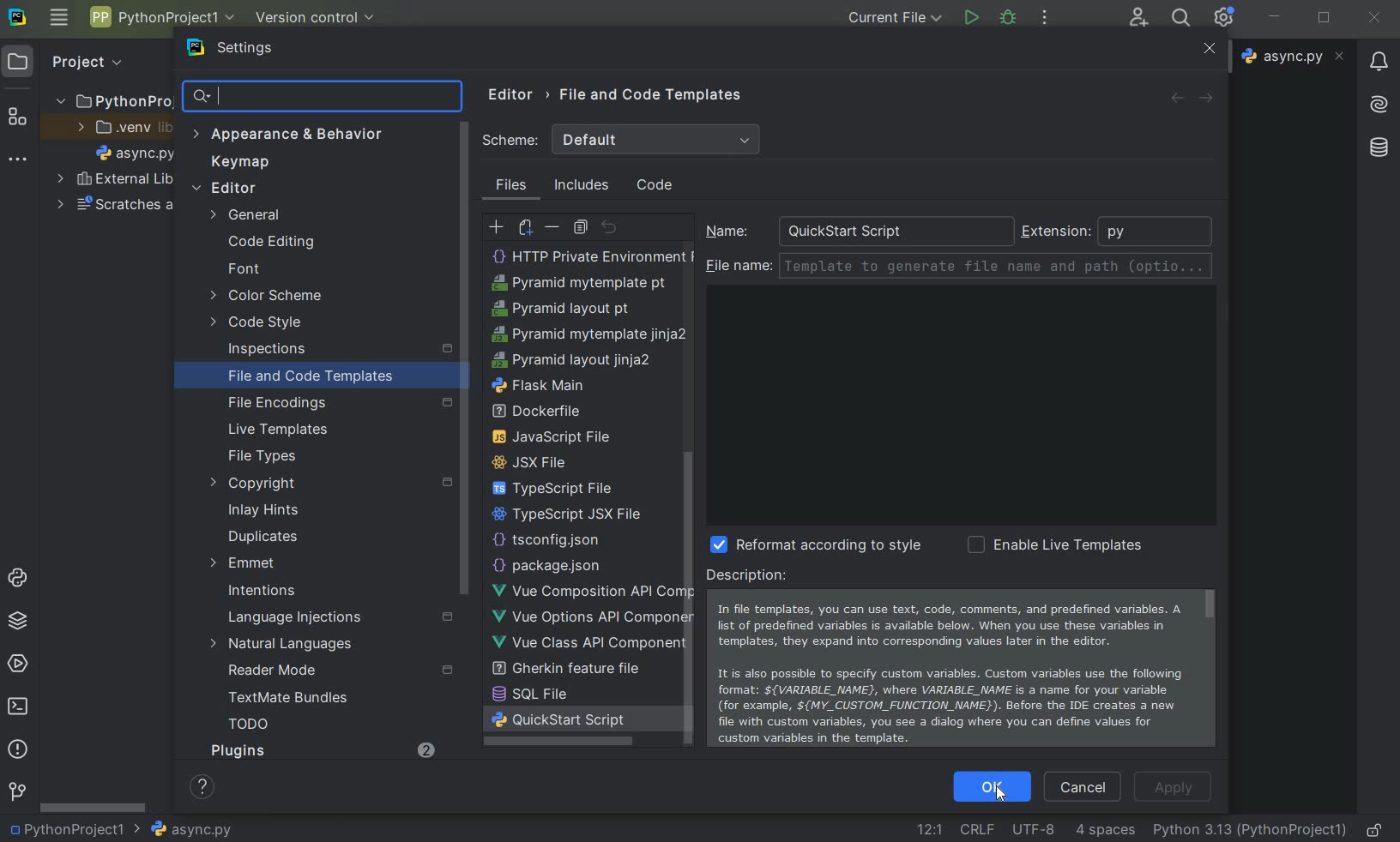 Image resolution: width=1400 pixels, height=842 pixels. Describe the element at coordinates (543, 435) in the screenshot. I see `setup script` at that location.